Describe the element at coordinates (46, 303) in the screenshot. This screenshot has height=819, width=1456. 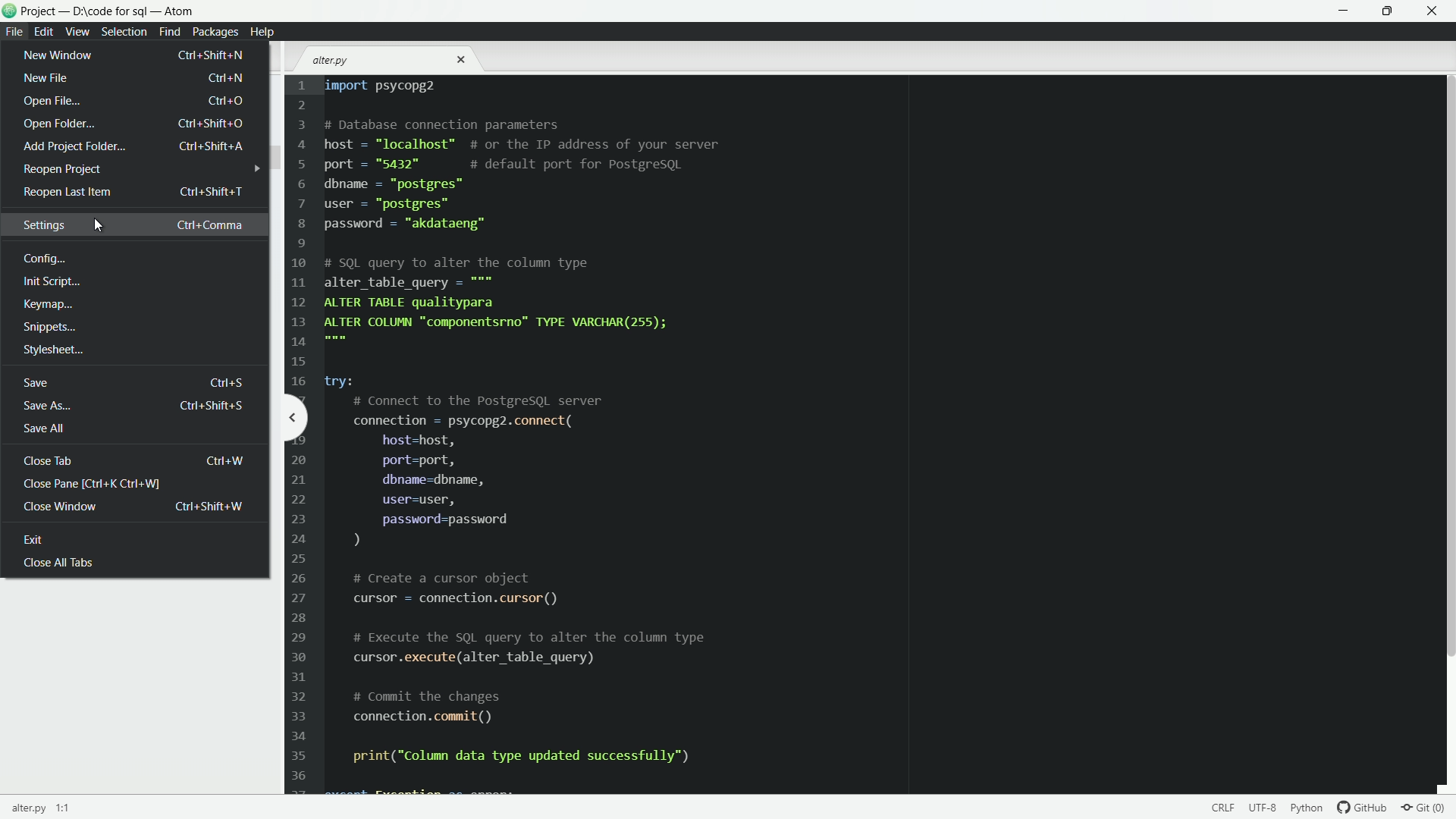
I see `keymap` at that location.